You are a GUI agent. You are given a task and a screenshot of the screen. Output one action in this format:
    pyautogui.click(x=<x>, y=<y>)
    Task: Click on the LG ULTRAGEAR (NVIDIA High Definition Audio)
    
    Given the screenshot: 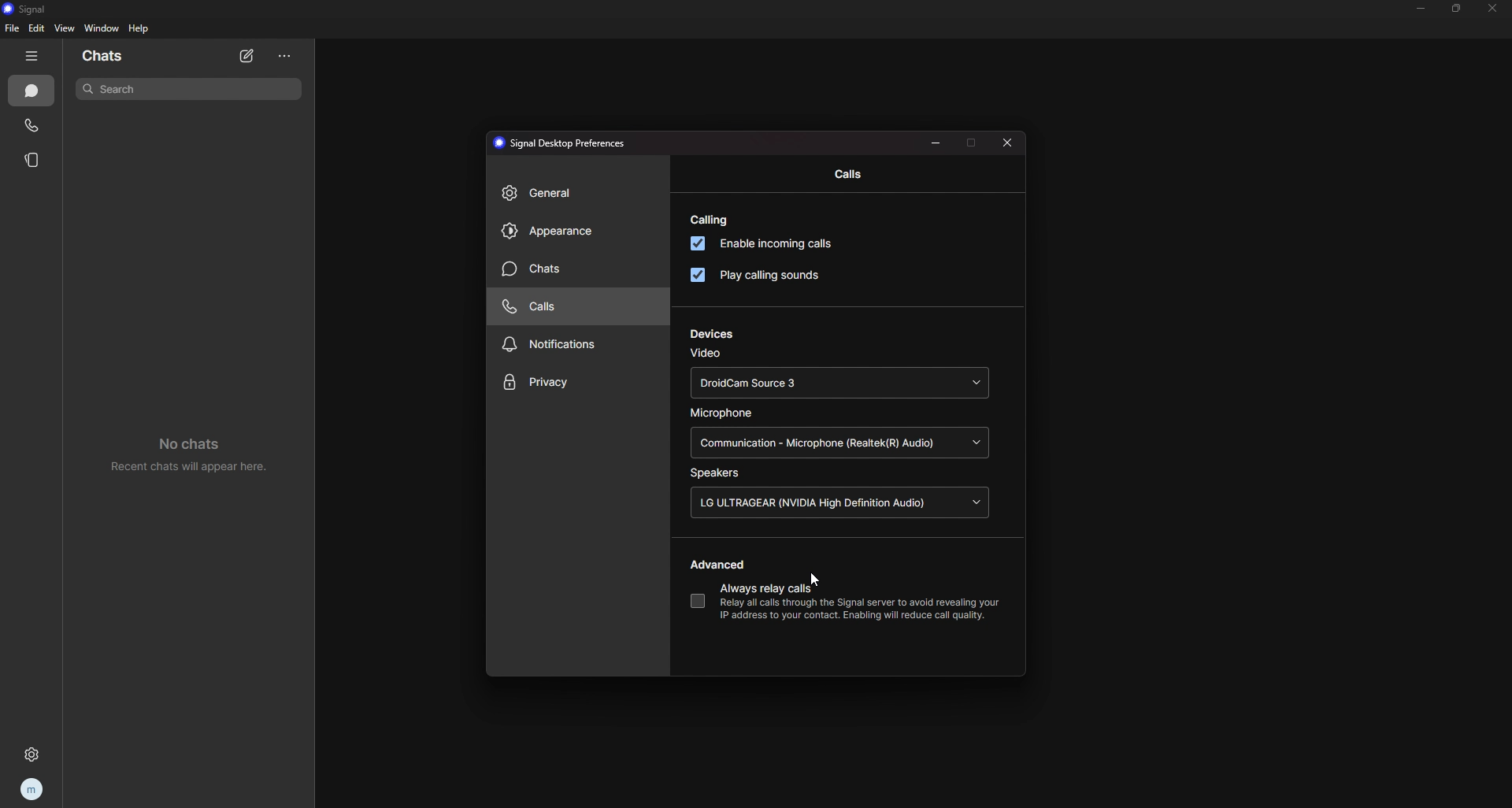 What is the action you would take?
    pyautogui.click(x=838, y=501)
    